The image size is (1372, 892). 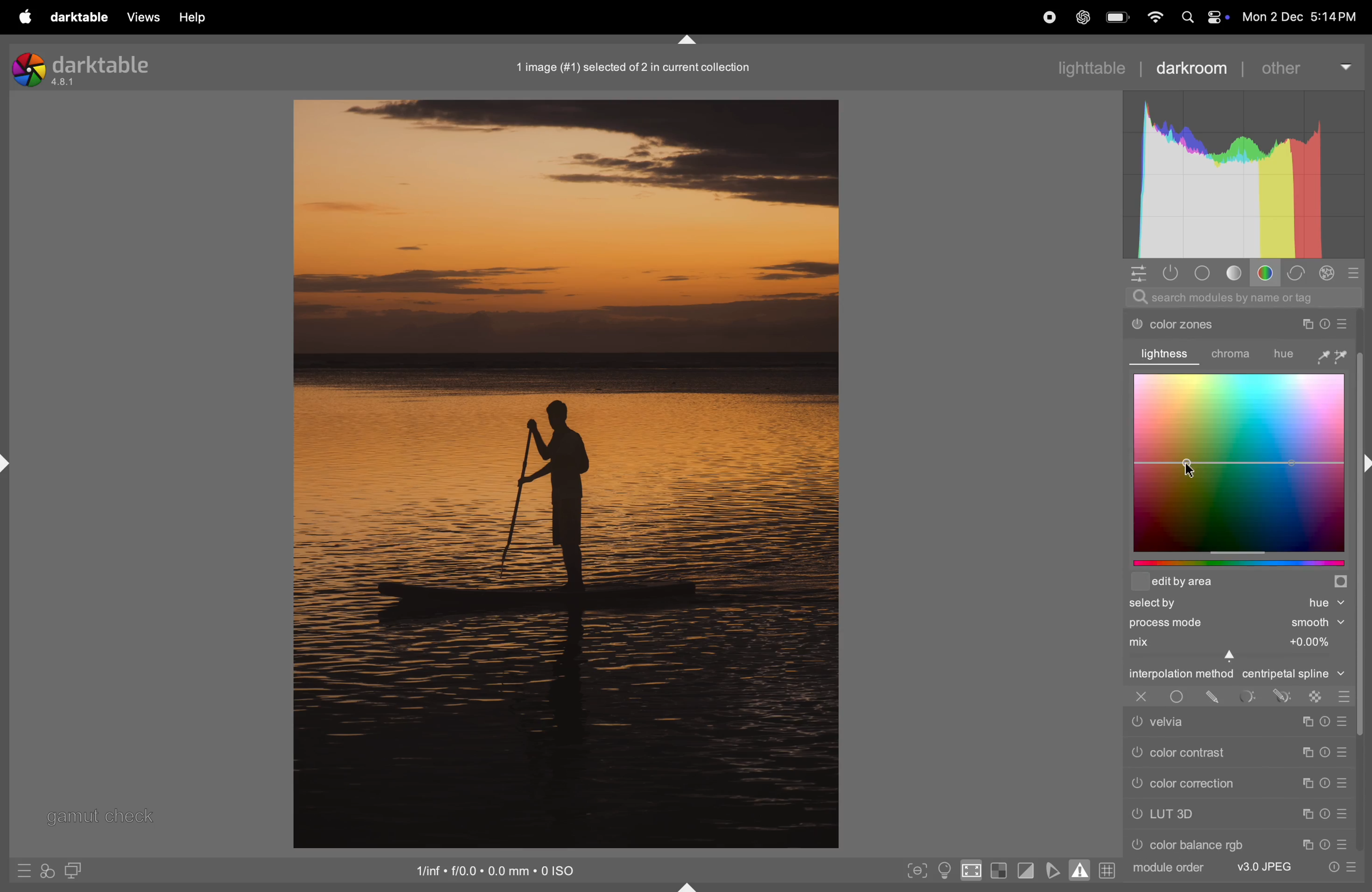 I want to click on , so click(x=1326, y=273).